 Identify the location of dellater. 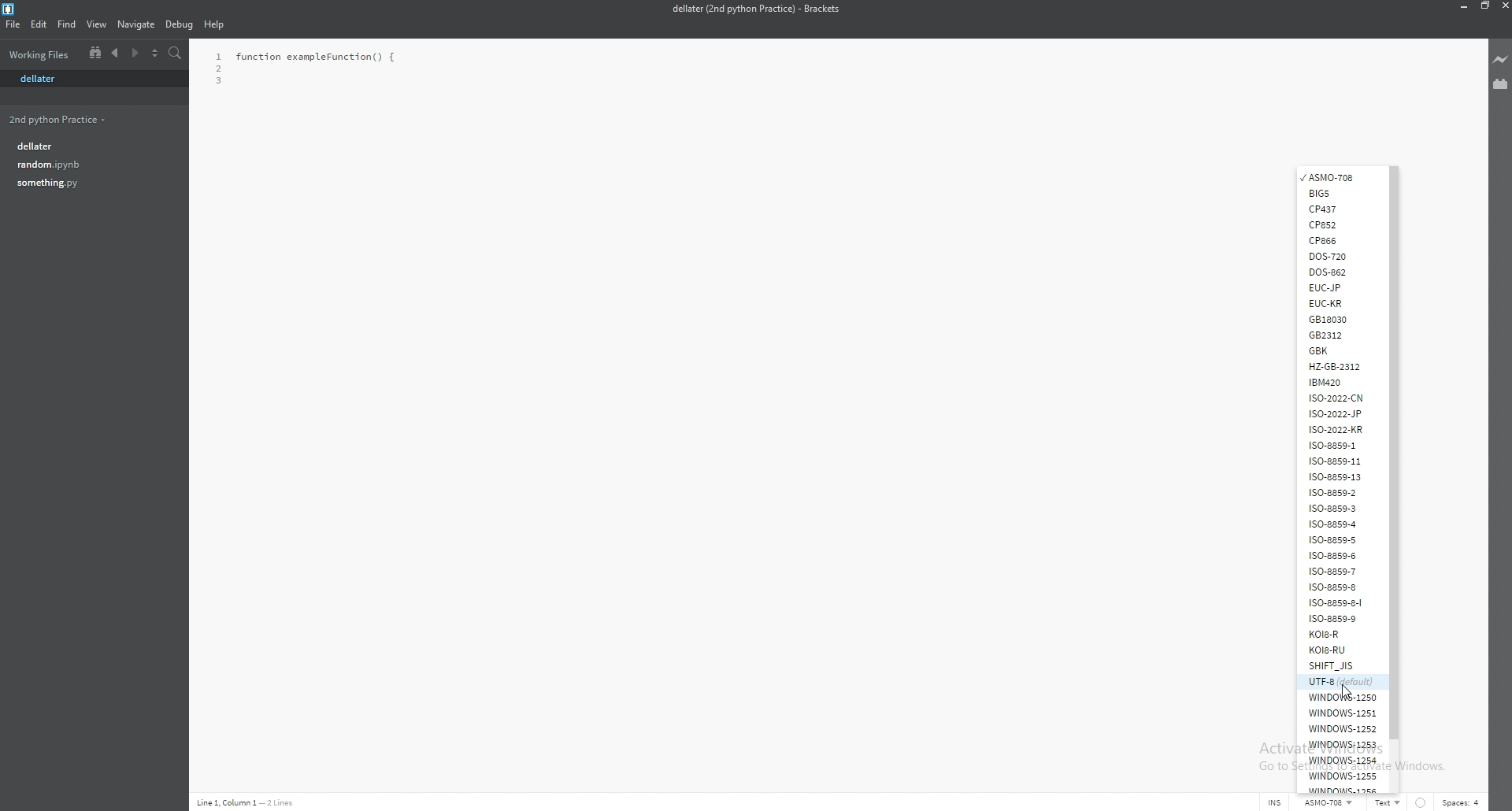
(88, 146).